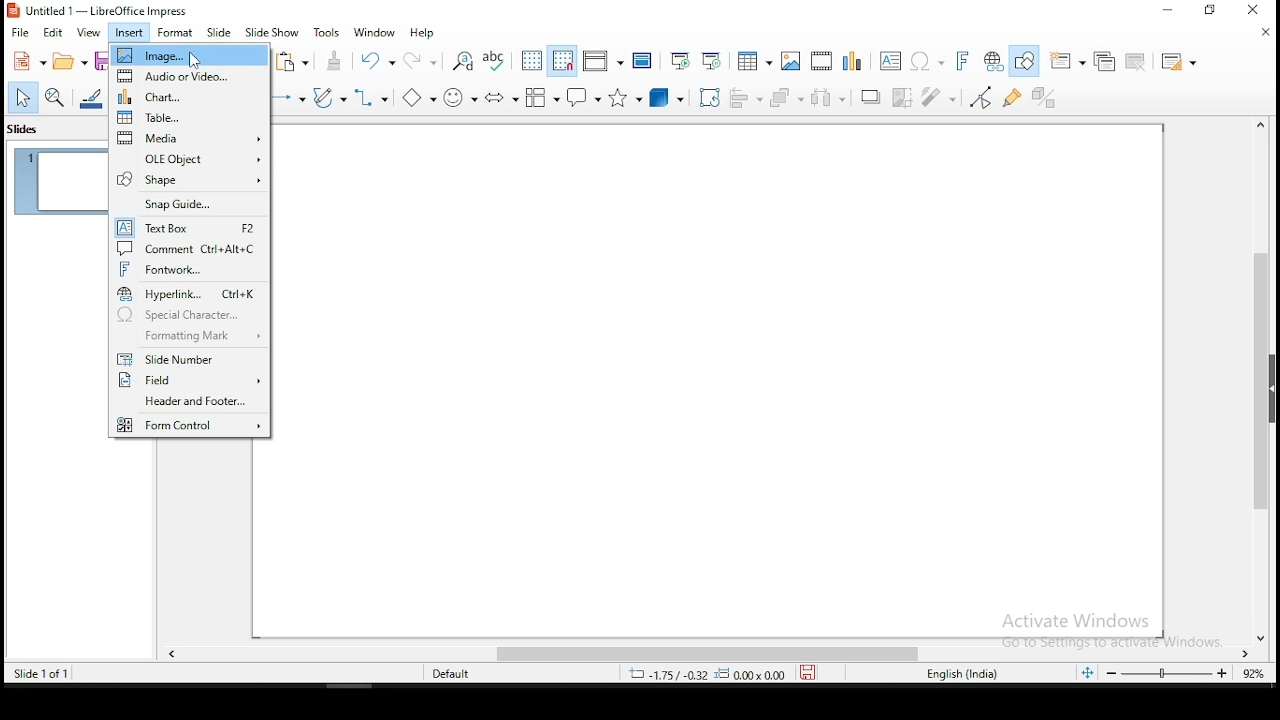 The image size is (1280, 720). What do you see at coordinates (785, 95) in the screenshot?
I see `arrange` at bounding box center [785, 95].